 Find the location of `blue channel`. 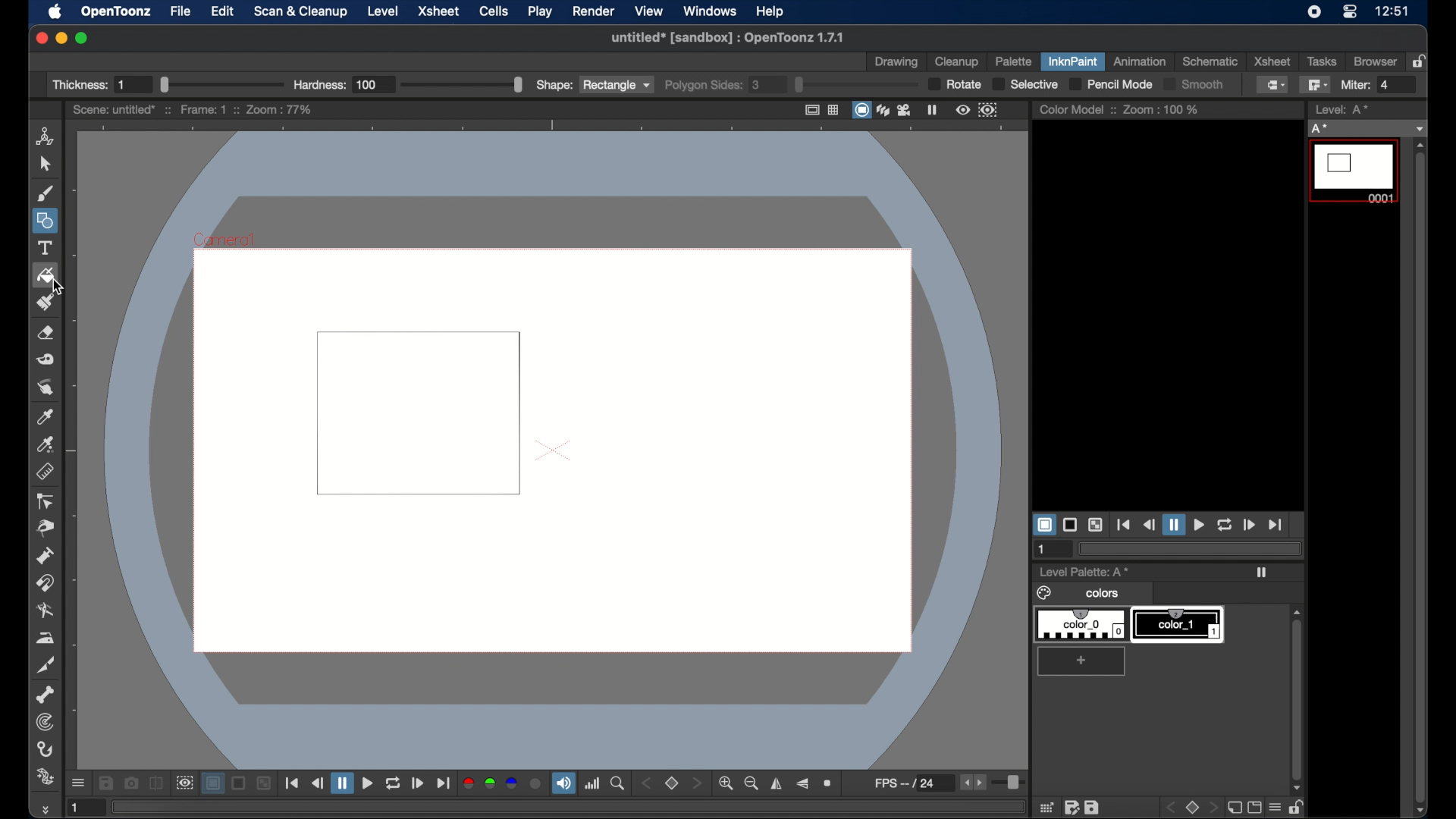

blue channel is located at coordinates (511, 783).